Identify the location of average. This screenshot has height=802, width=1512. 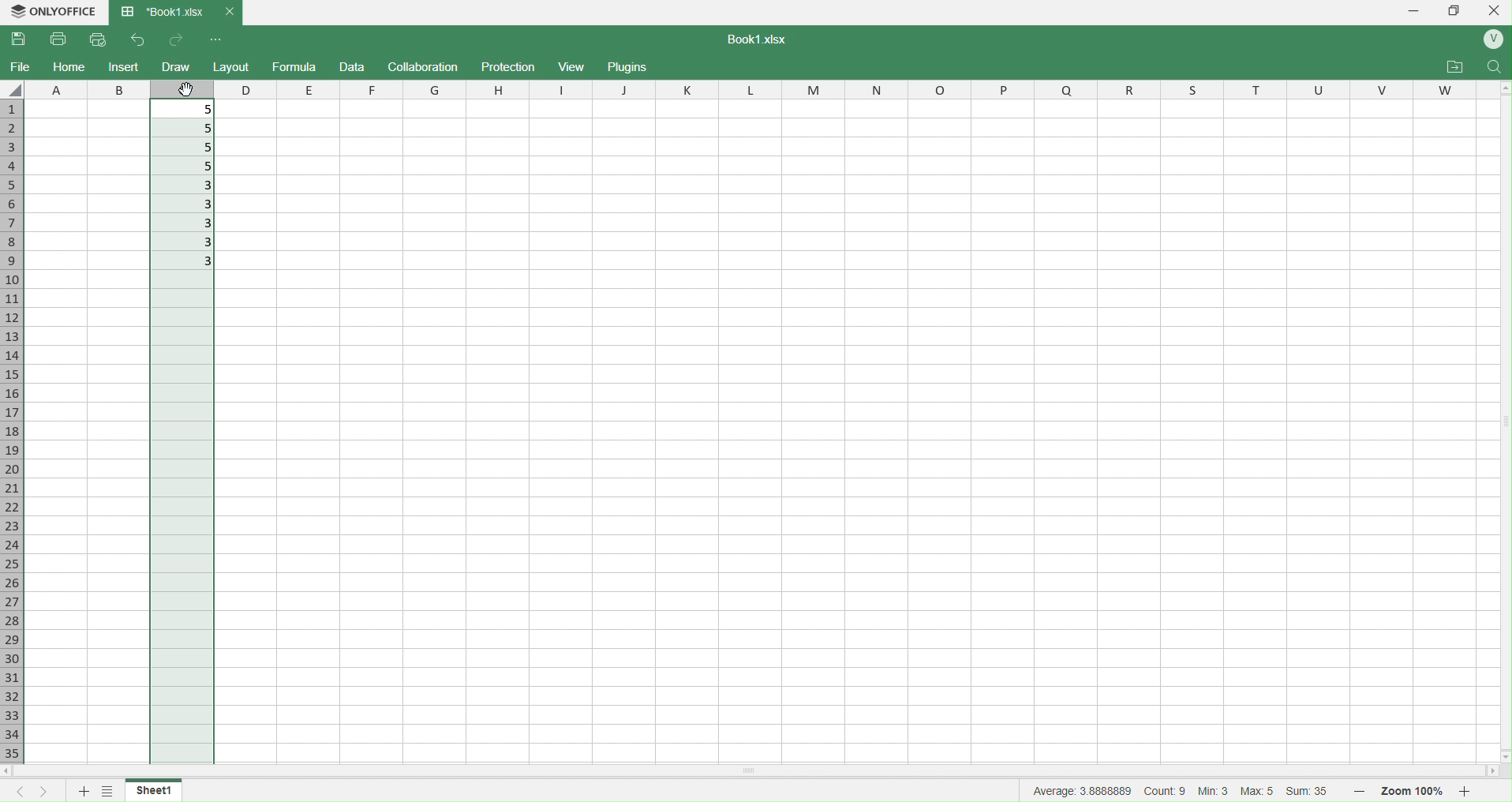
(1083, 790).